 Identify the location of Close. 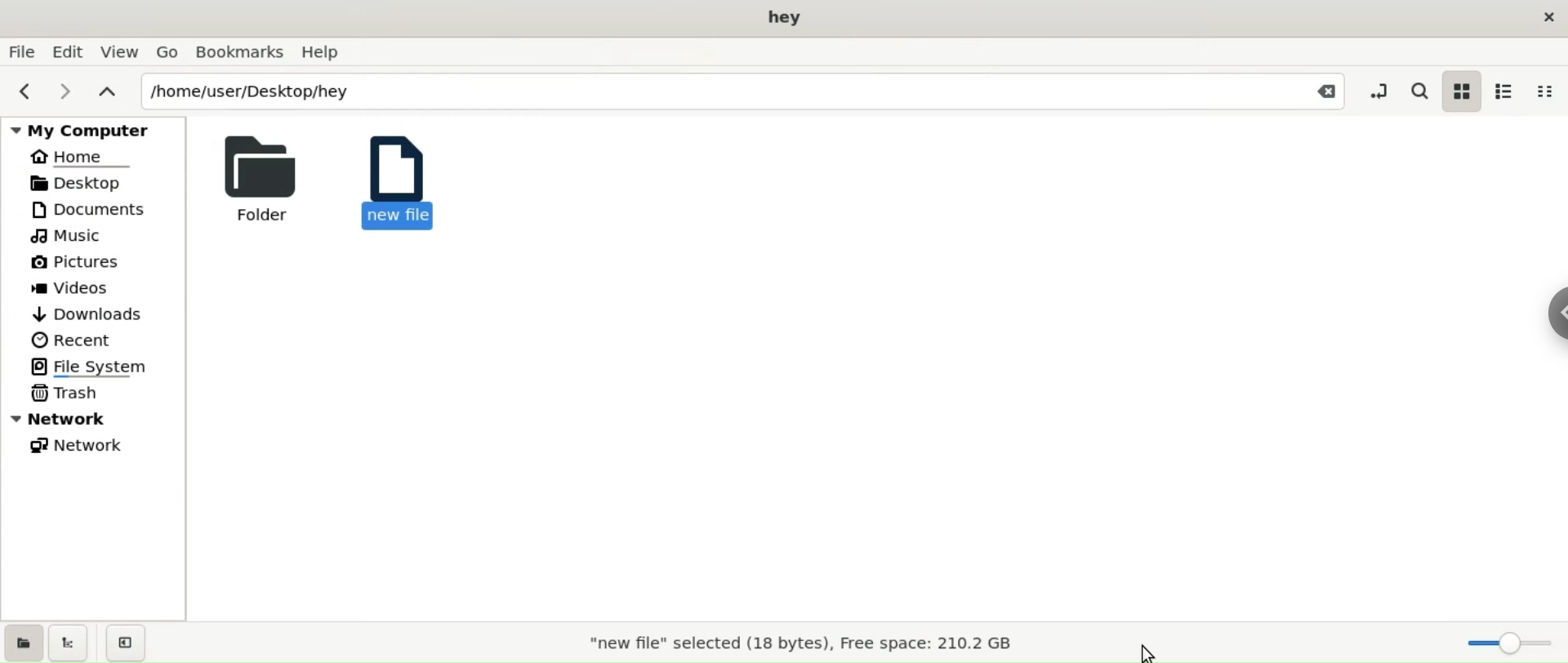
(1328, 94).